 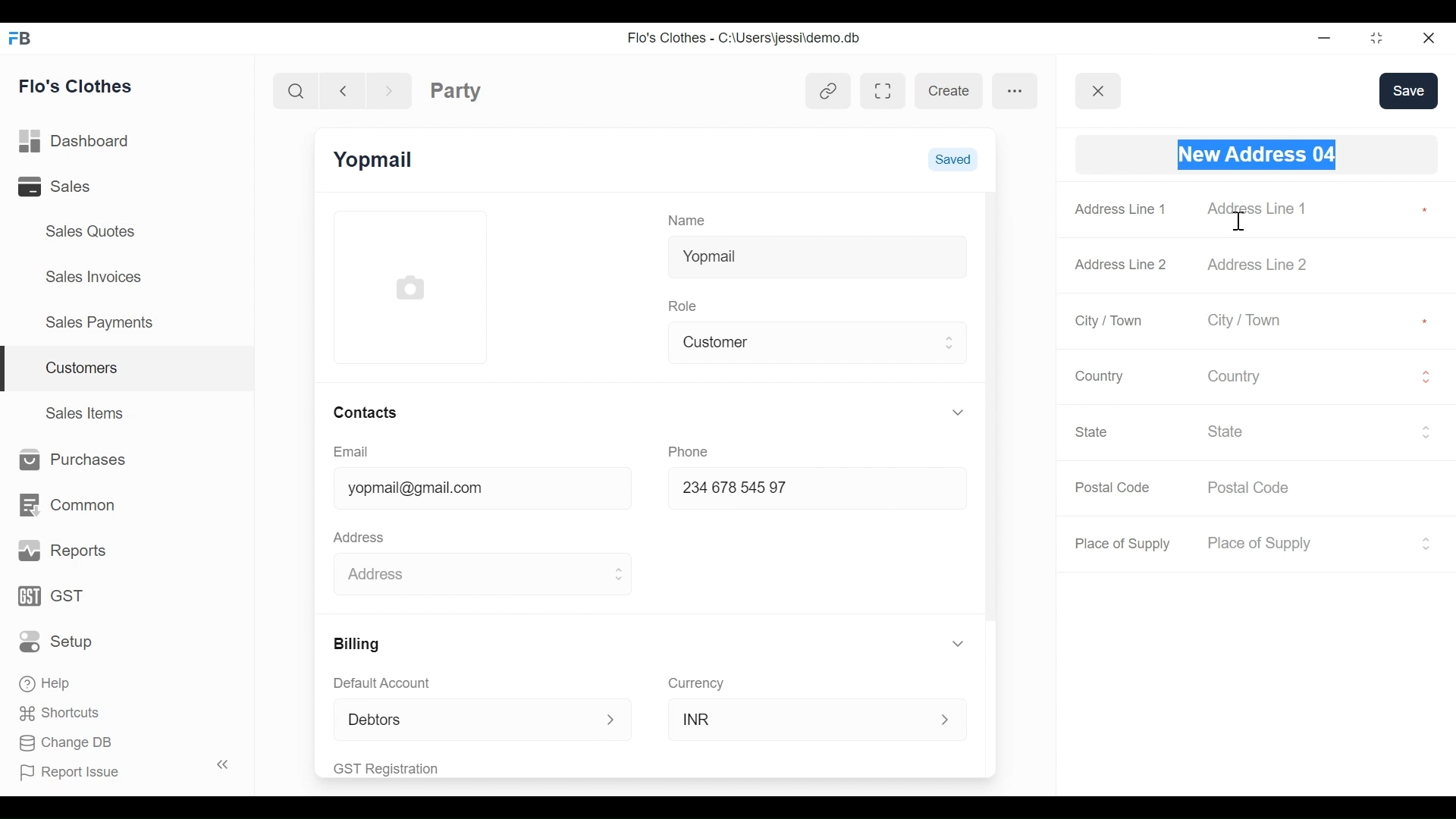 What do you see at coordinates (392, 682) in the screenshot?
I see `Default Account` at bounding box center [392, 682].